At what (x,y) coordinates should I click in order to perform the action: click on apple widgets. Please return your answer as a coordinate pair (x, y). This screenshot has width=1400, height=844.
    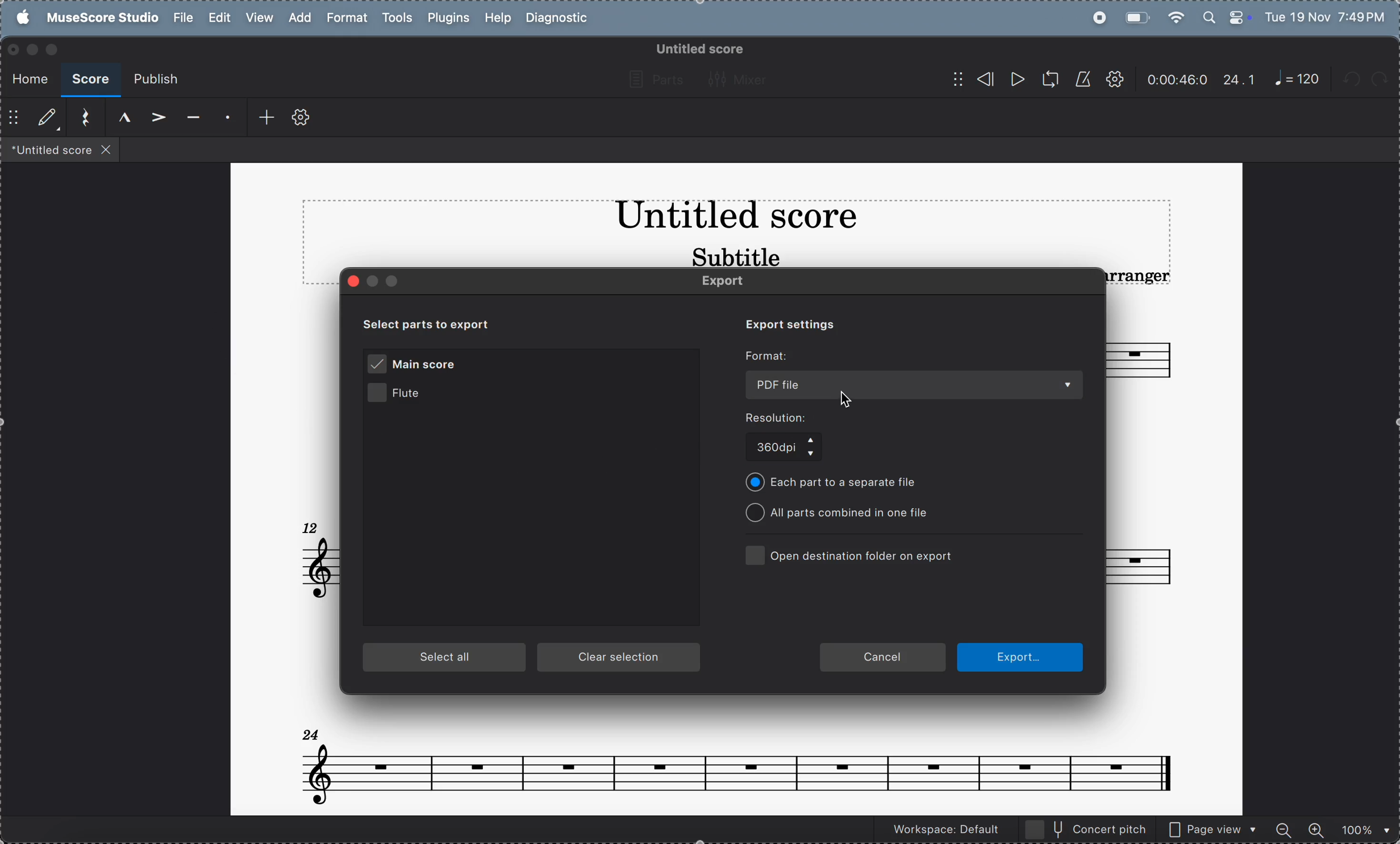
    Looking at the image, I should click on (1226, 16).